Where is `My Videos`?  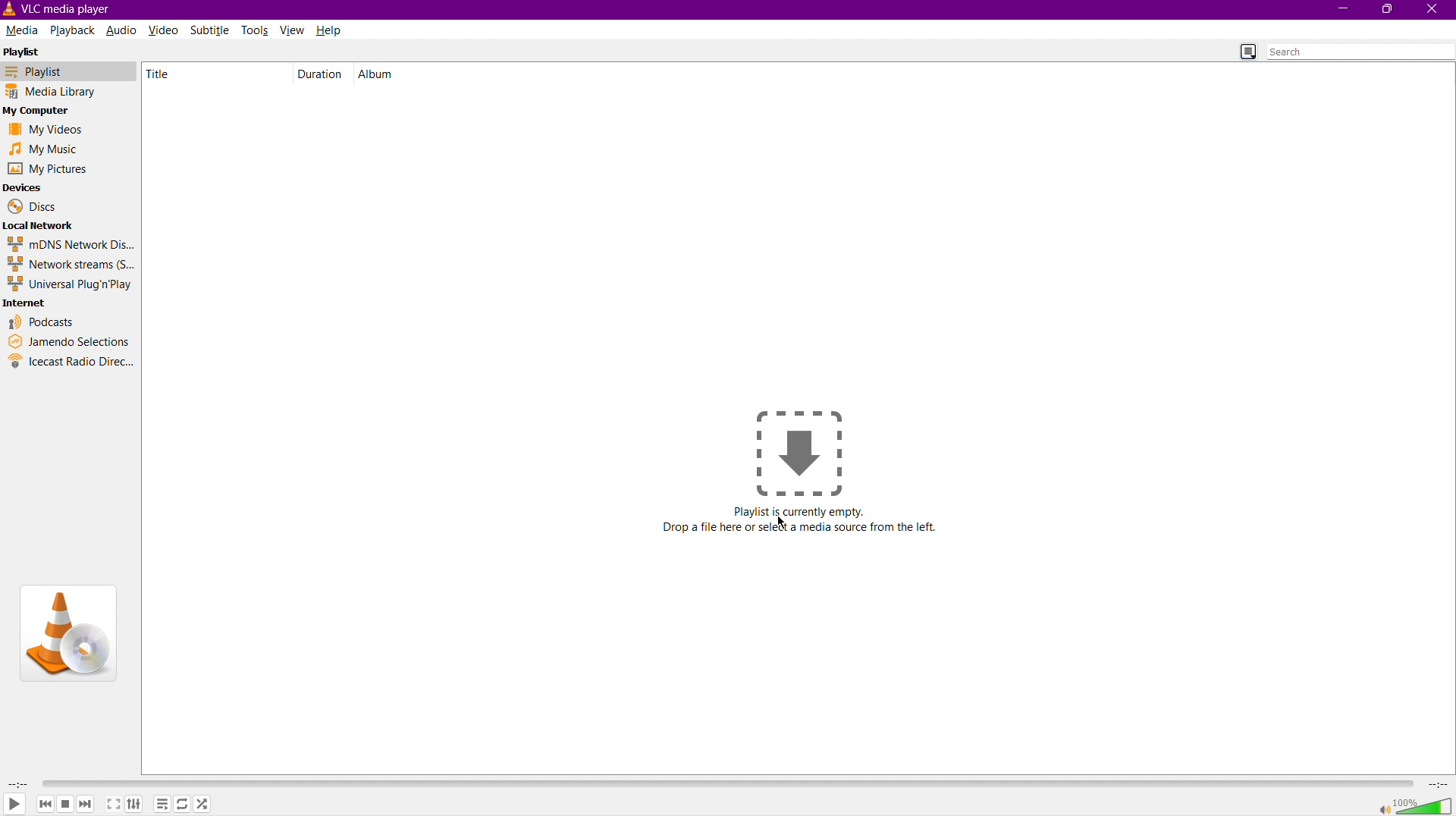
My Videos is located at coordinates (49, 130).